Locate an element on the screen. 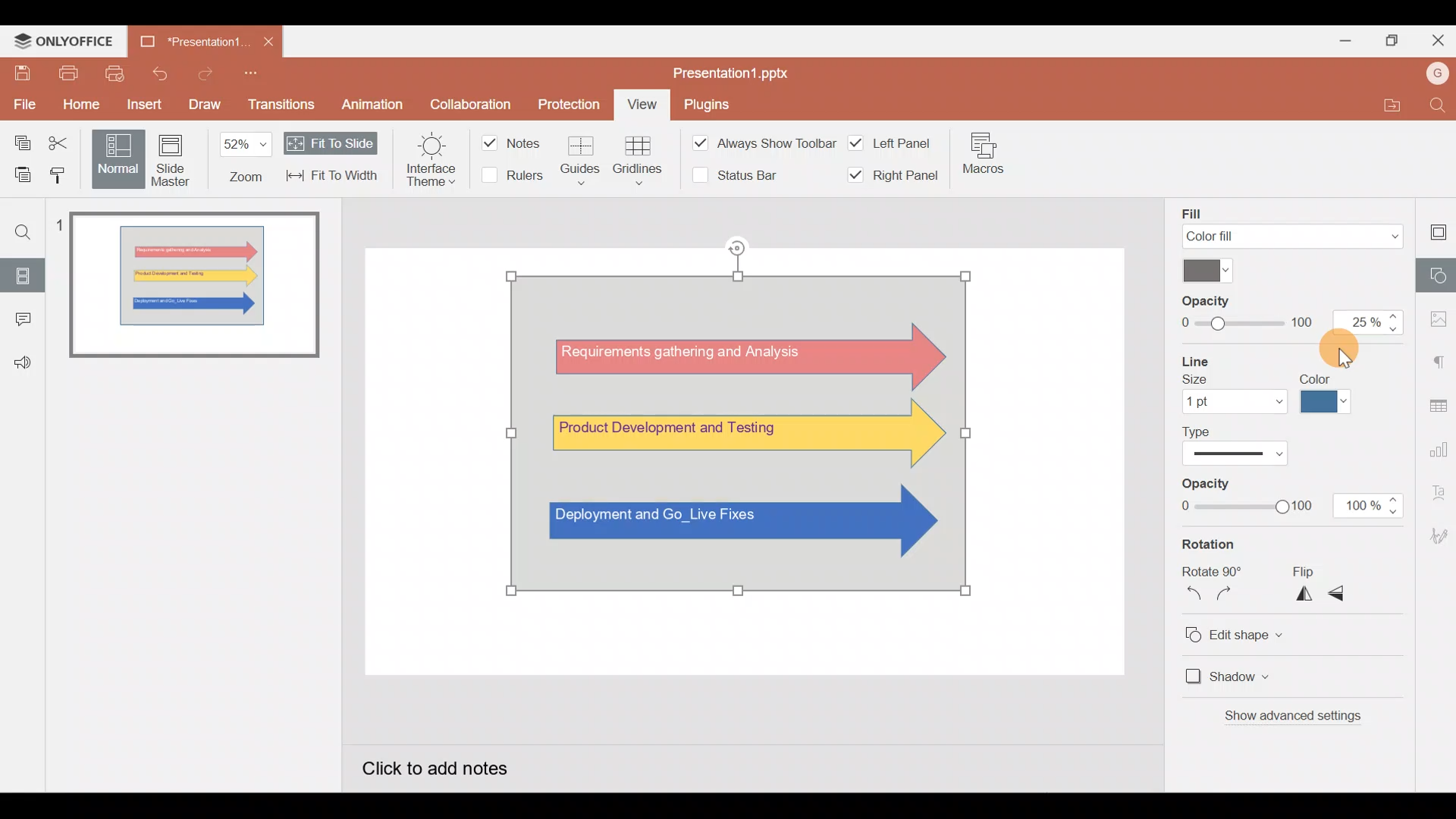 The height and width of the screenshot is (819, 1456). Flip horizontally is located at coordinates (1298, 594).